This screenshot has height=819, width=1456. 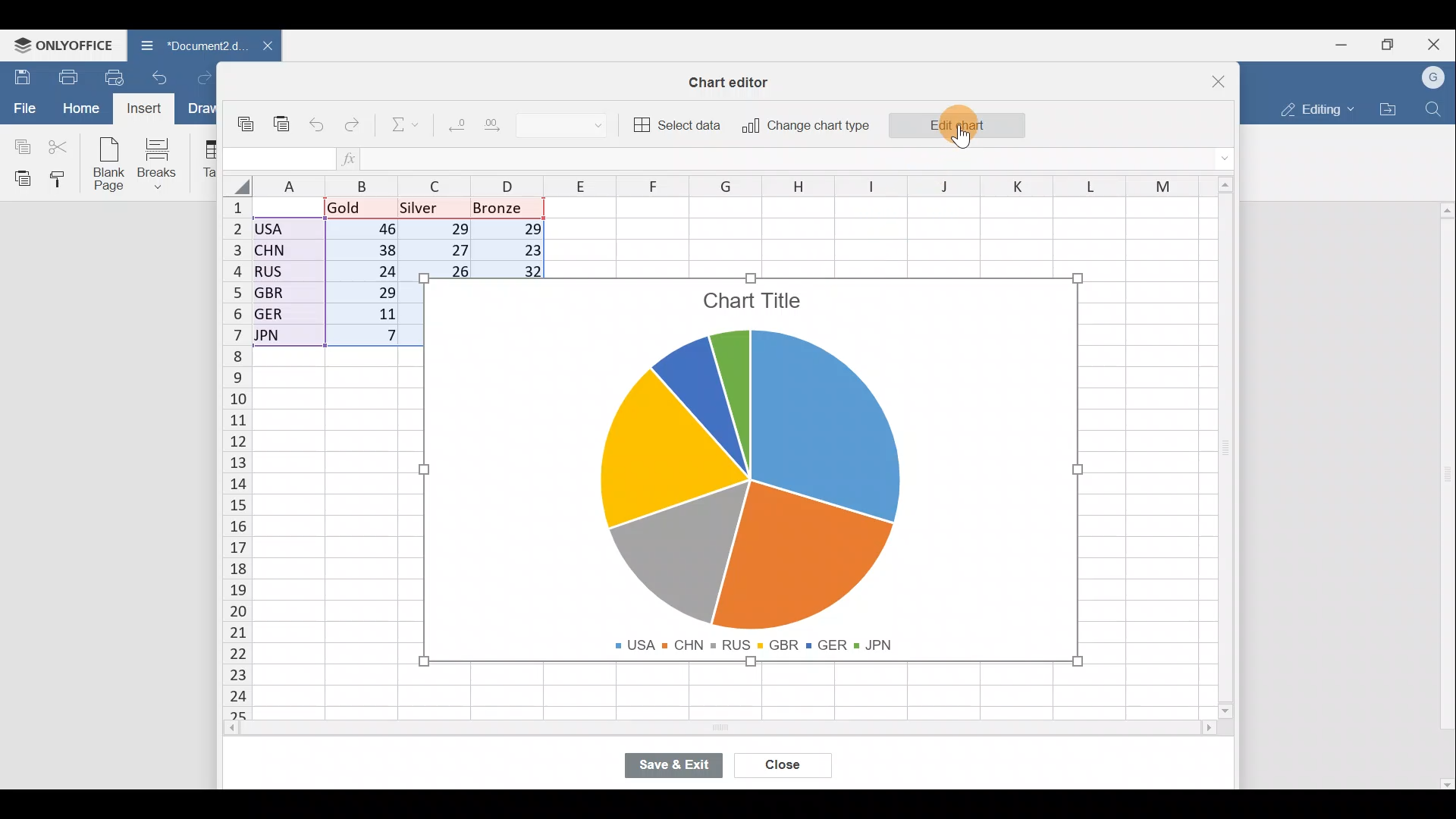 I want to click on Close, so click(x=1438, y=43).